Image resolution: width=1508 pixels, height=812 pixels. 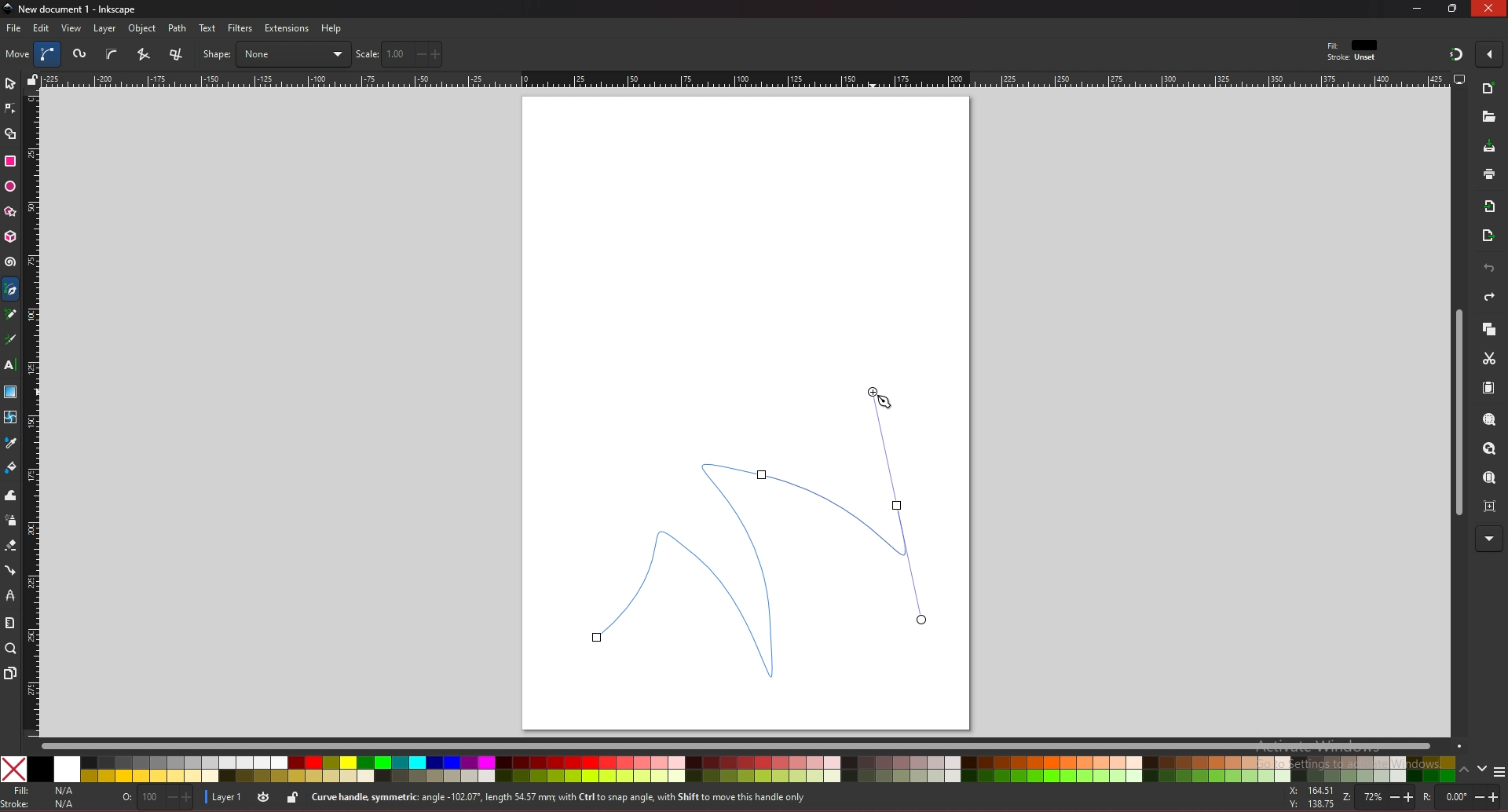 What do you see at coordinates (72, 8) in the screenshot?
I see `title` at bounding box center [72, 8].